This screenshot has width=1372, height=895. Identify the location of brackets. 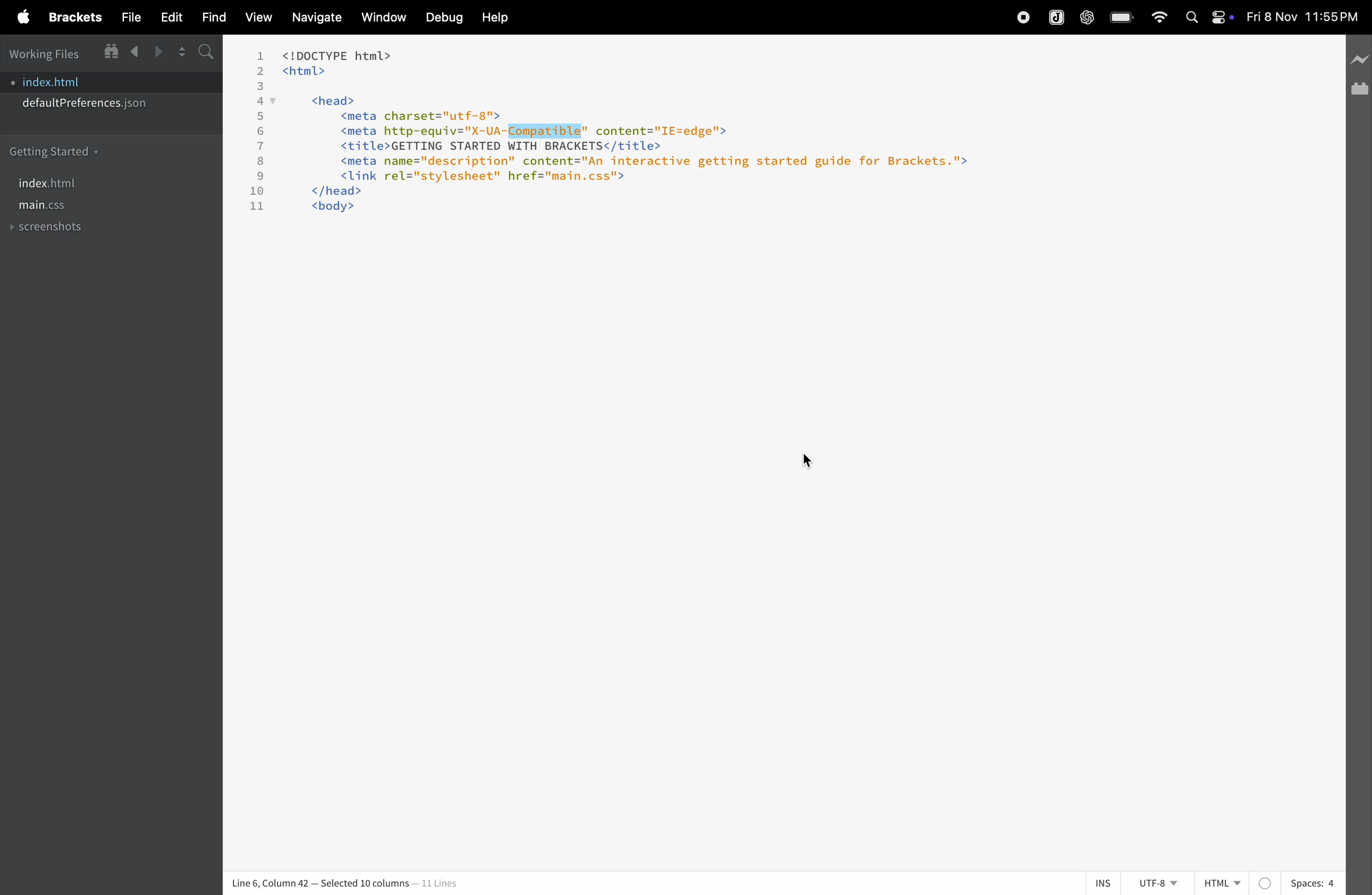
(72, 17).